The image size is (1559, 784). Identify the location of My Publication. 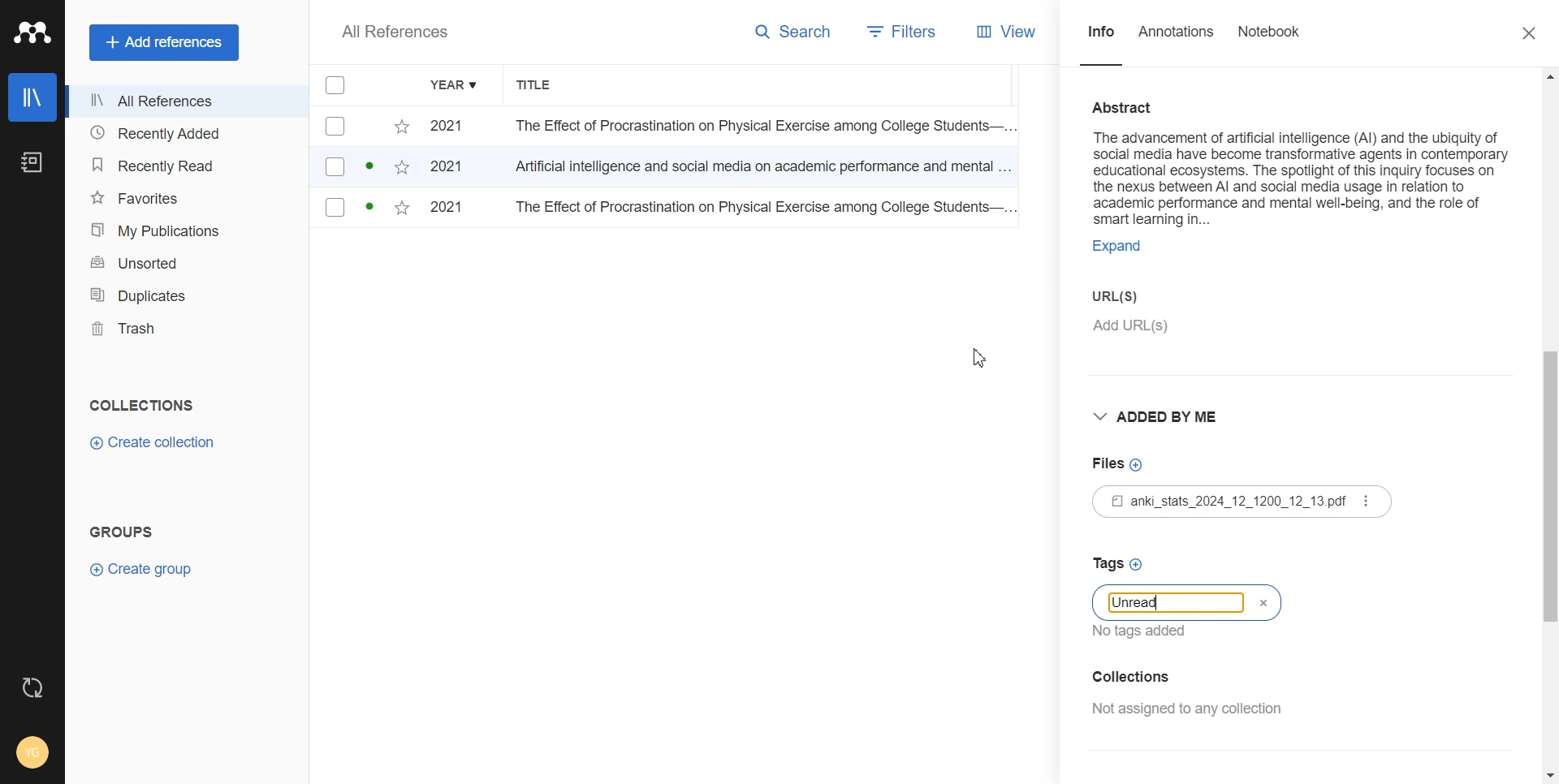
(185, 230).